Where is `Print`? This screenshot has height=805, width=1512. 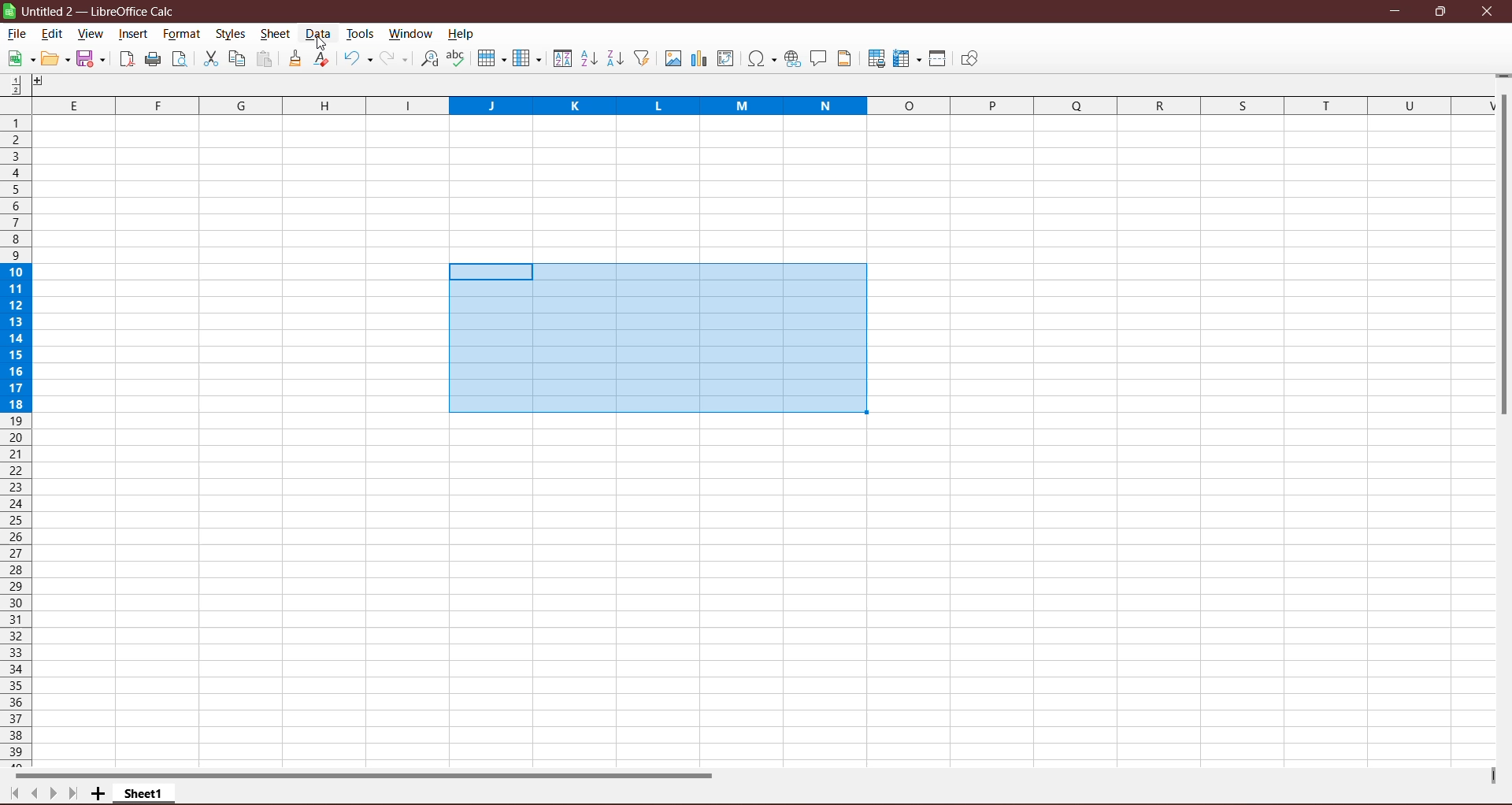 Print is located at coordinates (153, 60).